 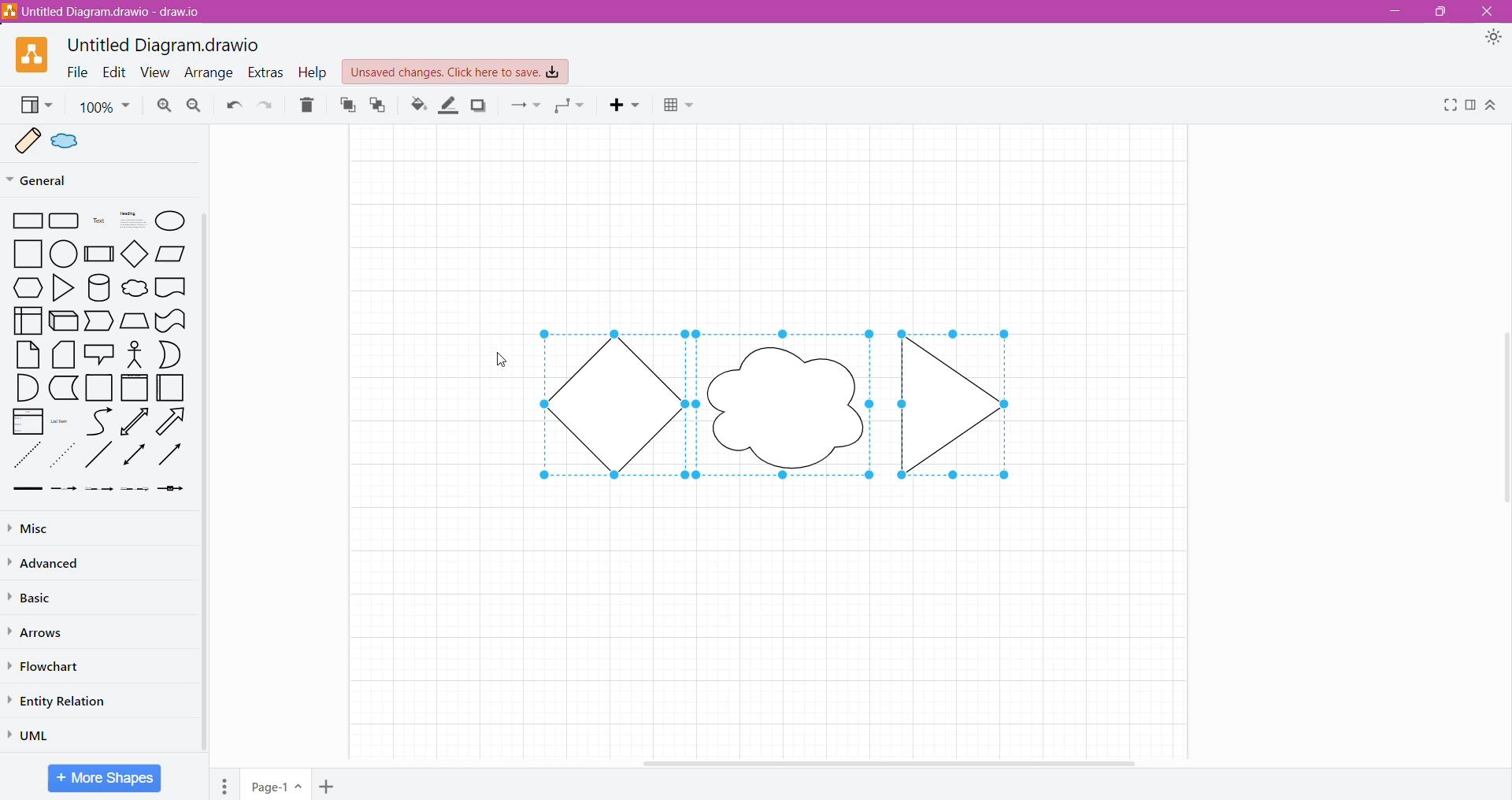 I want to click on Vertical Scroll Bar, so click(x=203, y=483).